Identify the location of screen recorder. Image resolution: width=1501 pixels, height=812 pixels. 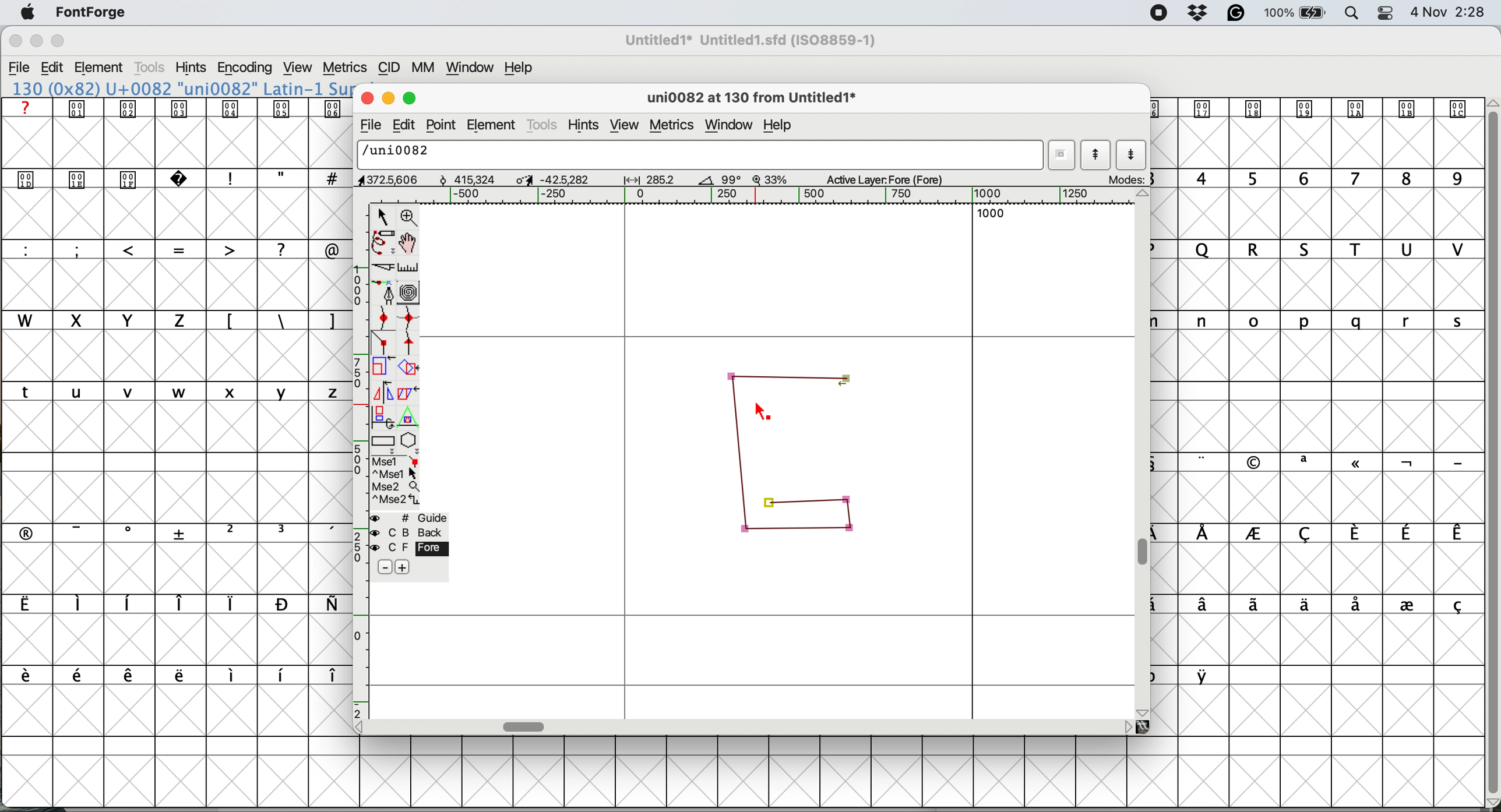
(1160, 13).